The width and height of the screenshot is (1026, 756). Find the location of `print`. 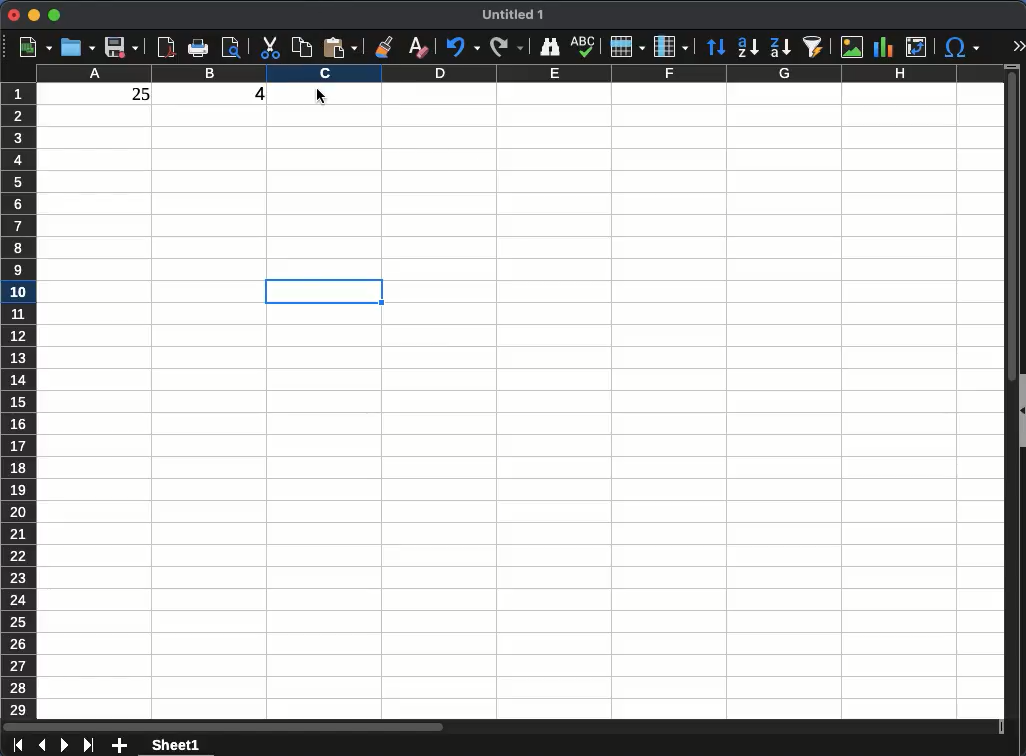

print is located at coordinates (199, 48).